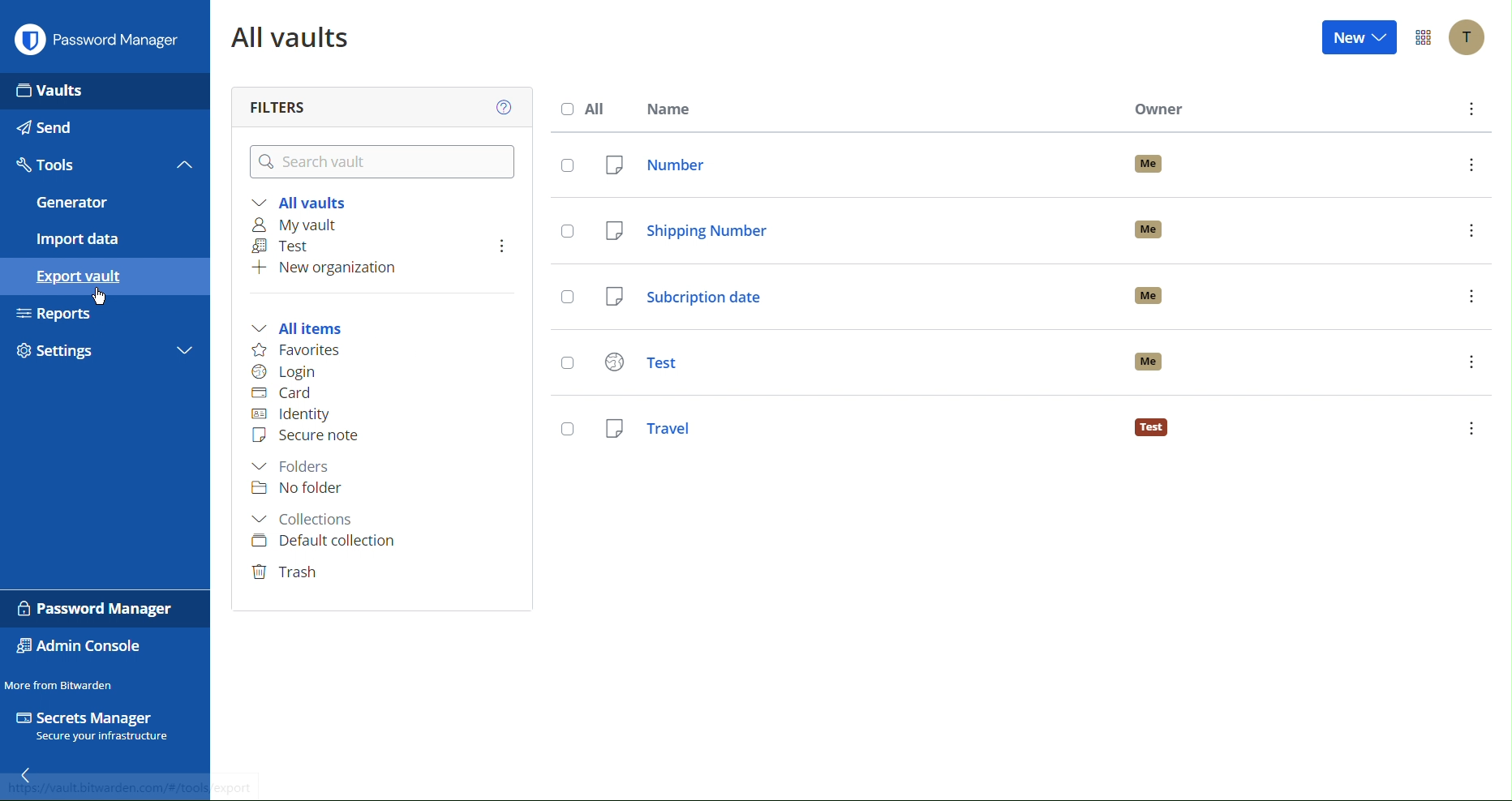 This screenshot has width=1512, height=801. What do you see at coordinates (99, 728) in the screenshot?
I see `Secrets Manager ` at bounding box center [99, 728].